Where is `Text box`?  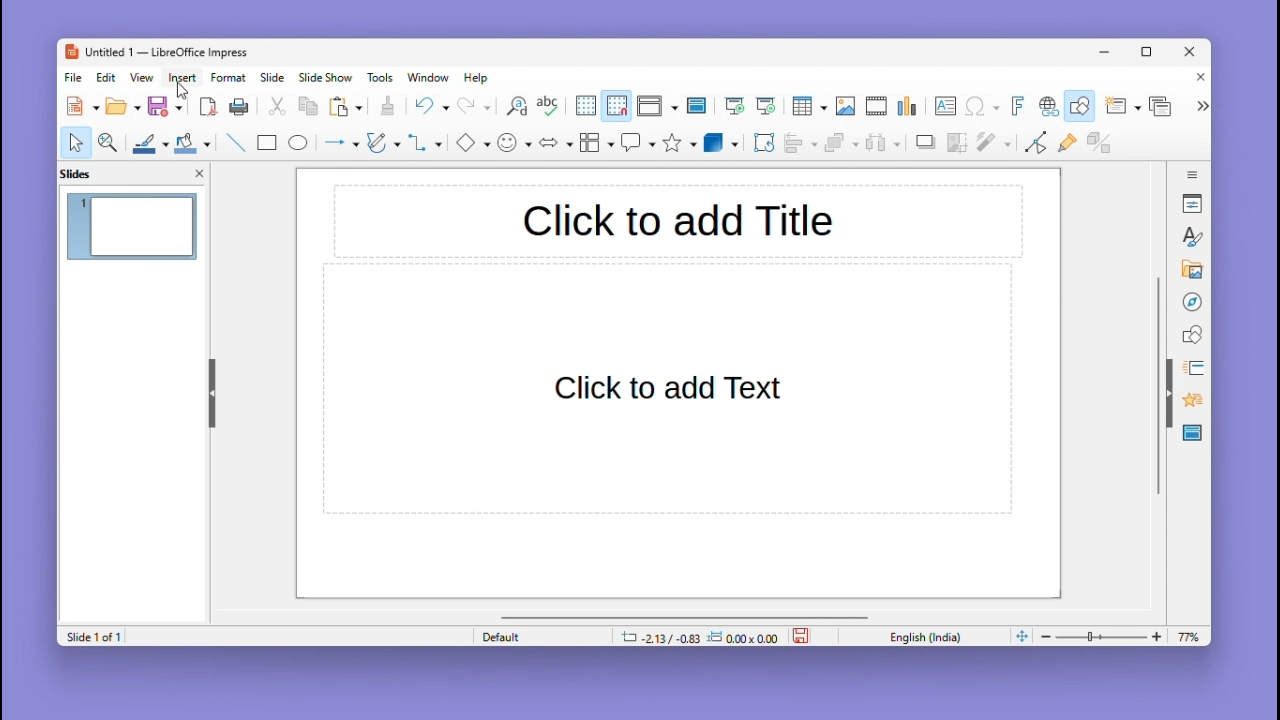
Text box is located at coordinates (945, 106).